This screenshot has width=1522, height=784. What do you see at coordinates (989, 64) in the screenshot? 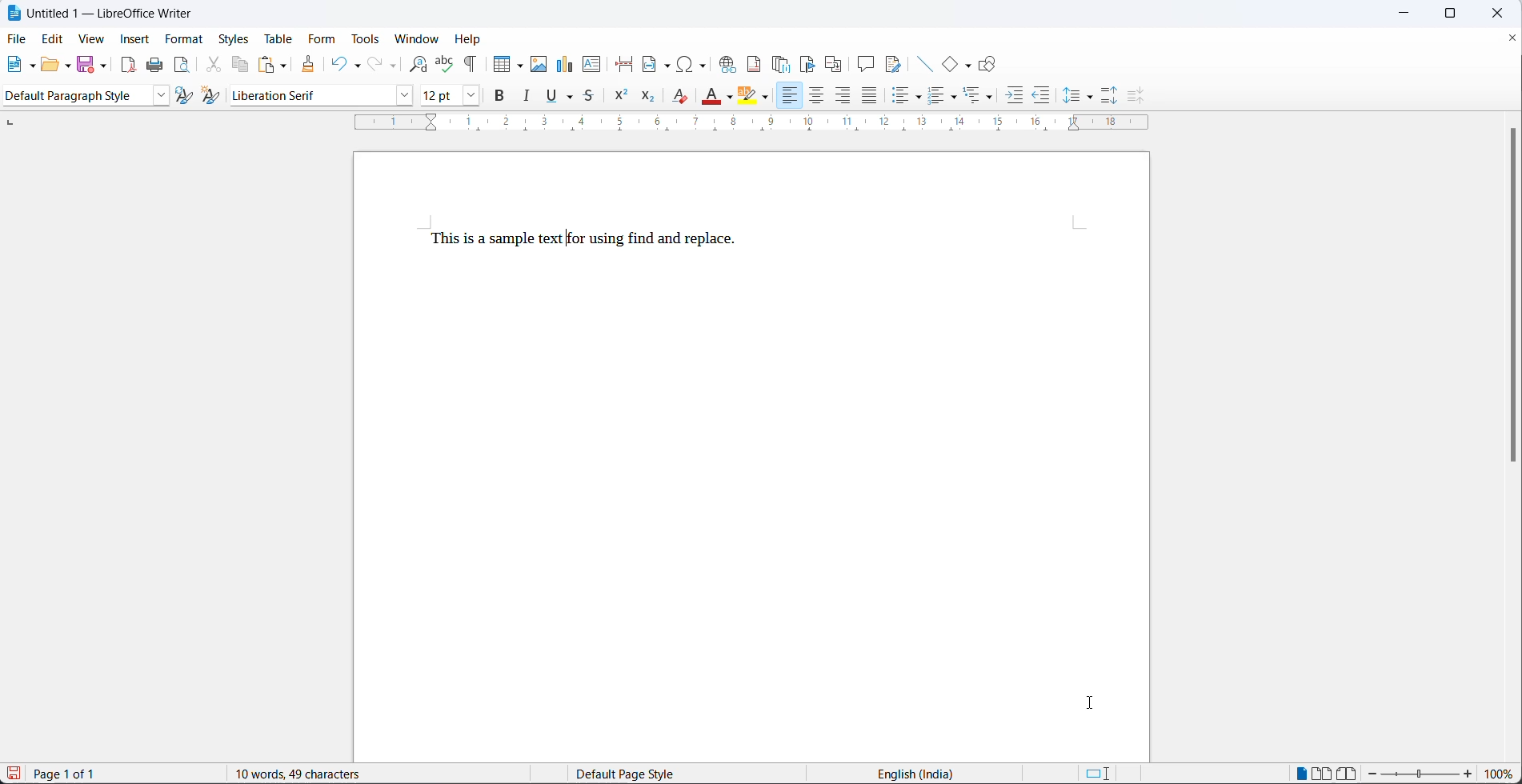
I see `show draw functions` at bounding box center [989, 64].